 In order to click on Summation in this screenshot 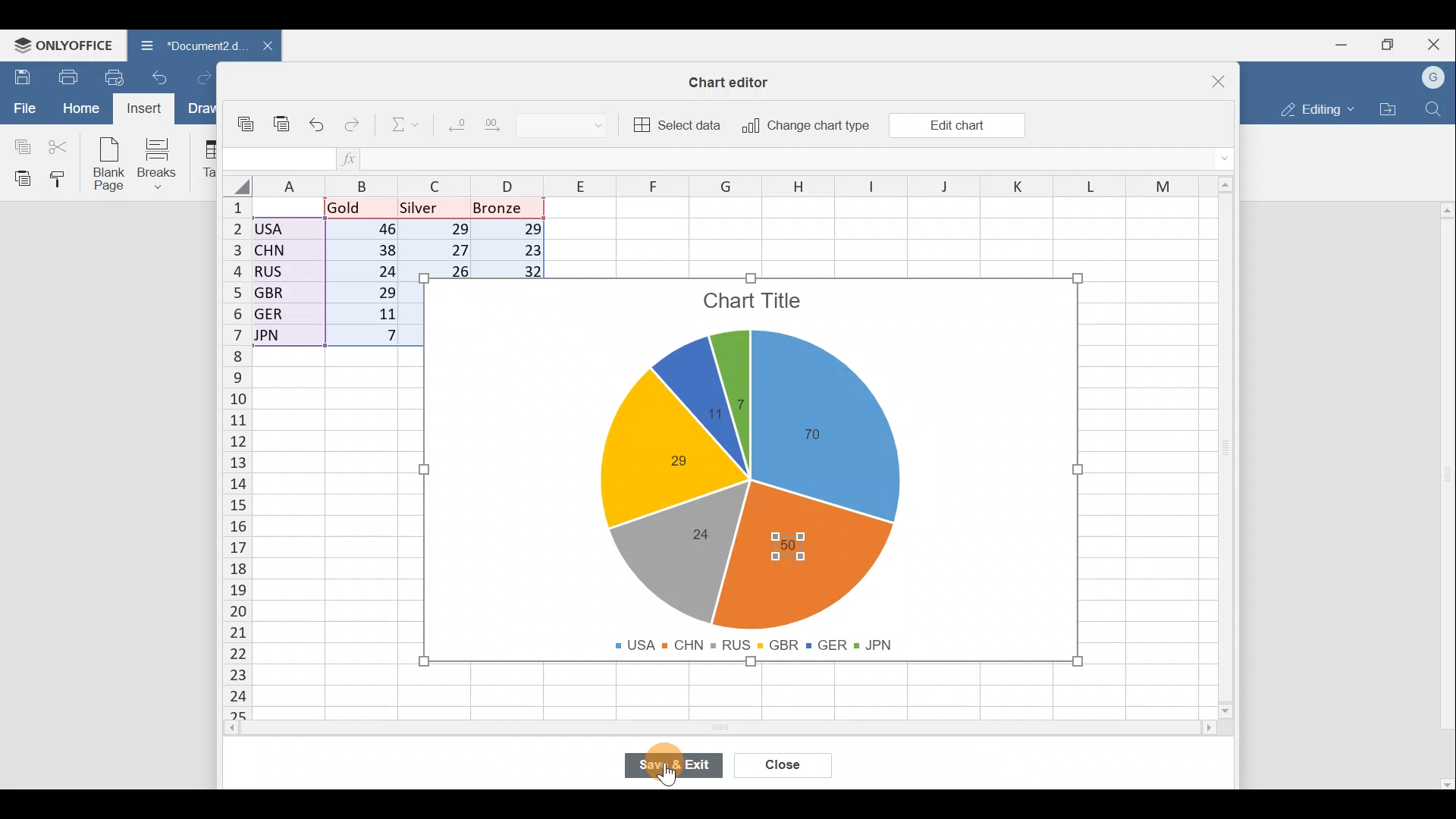, I will do `click(406, 122)`.